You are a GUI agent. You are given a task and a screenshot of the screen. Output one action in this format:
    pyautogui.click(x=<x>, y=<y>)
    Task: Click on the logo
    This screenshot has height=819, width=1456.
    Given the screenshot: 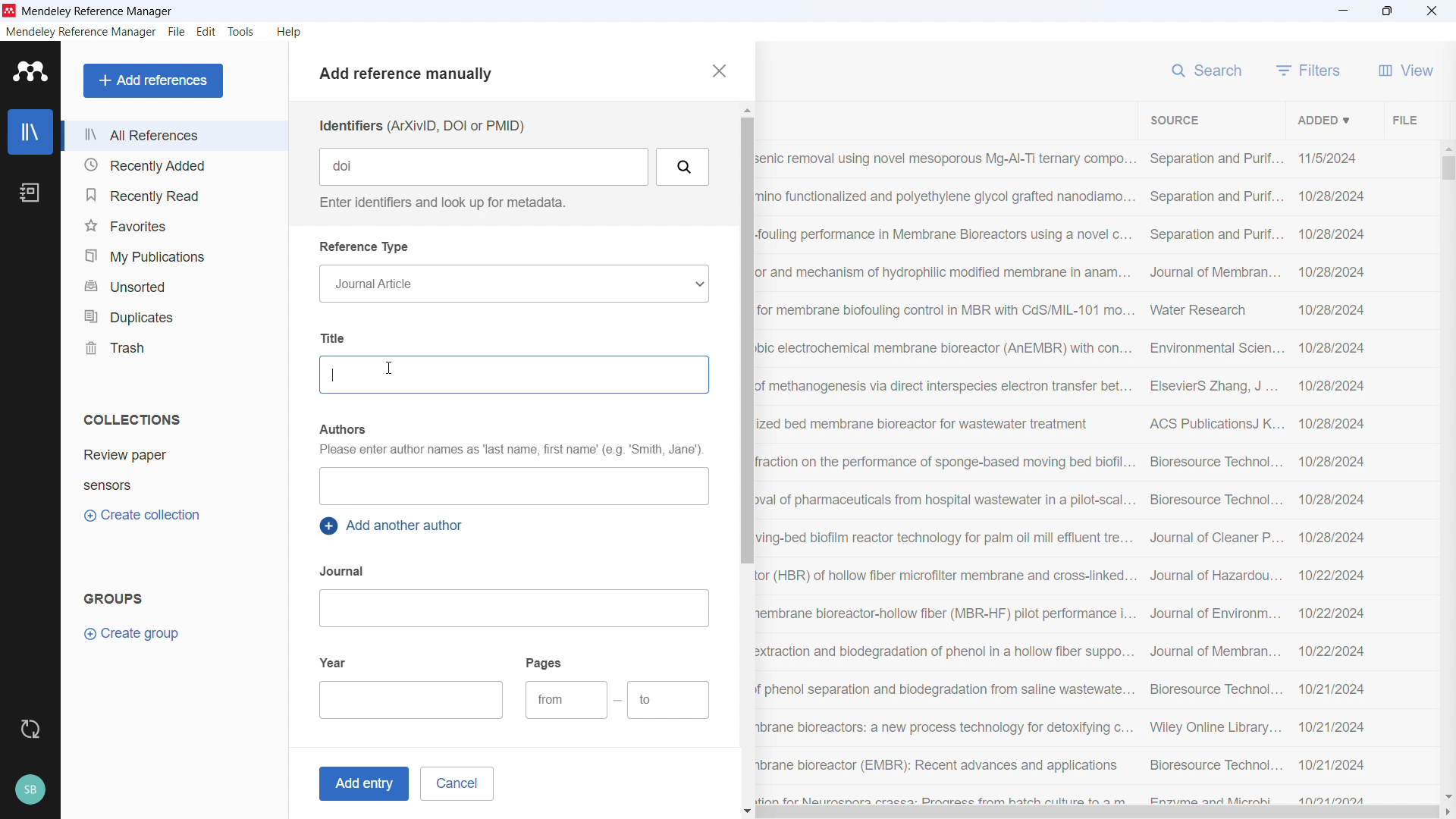 What is the action you would take?
    pyautogui.click(x=10, y=11)
    